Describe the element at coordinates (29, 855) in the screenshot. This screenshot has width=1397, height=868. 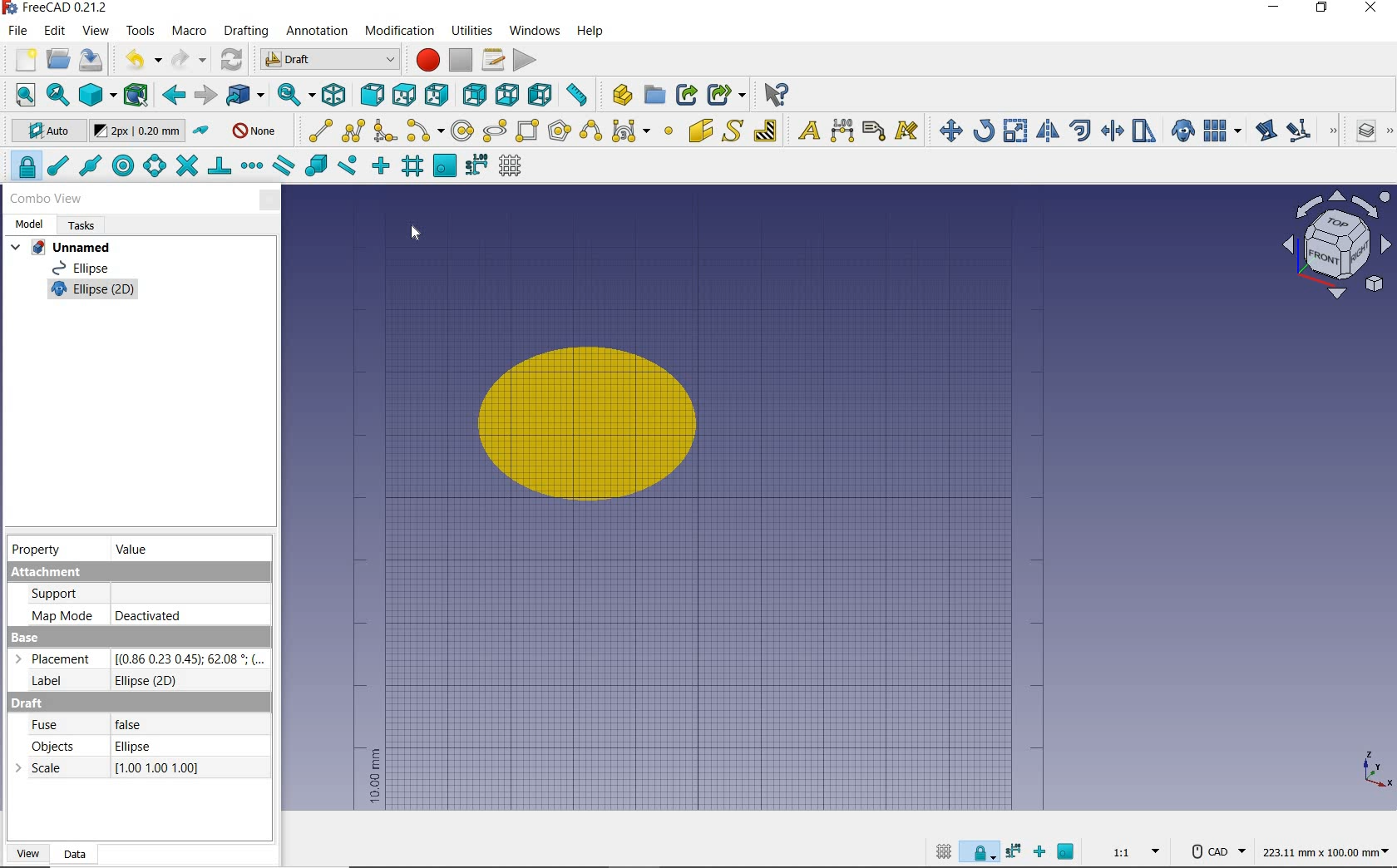
I see `View` at that location.